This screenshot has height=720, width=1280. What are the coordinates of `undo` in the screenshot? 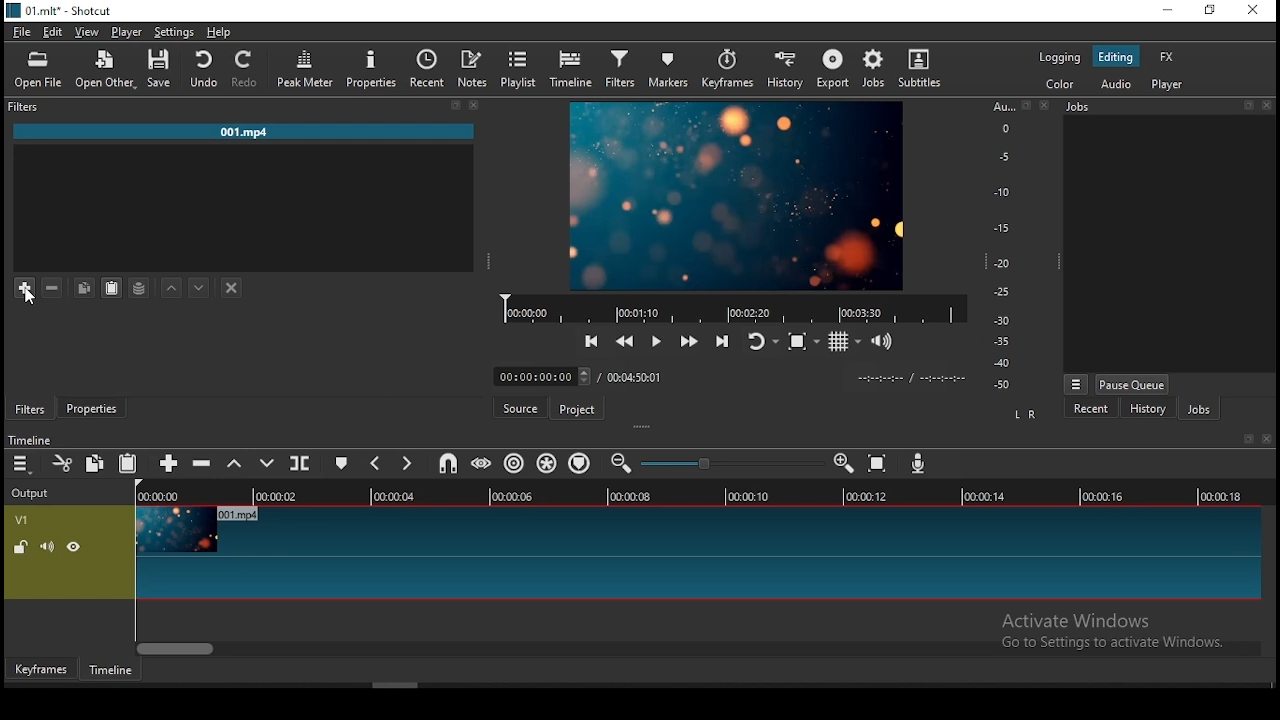 It's located at (208, 70).